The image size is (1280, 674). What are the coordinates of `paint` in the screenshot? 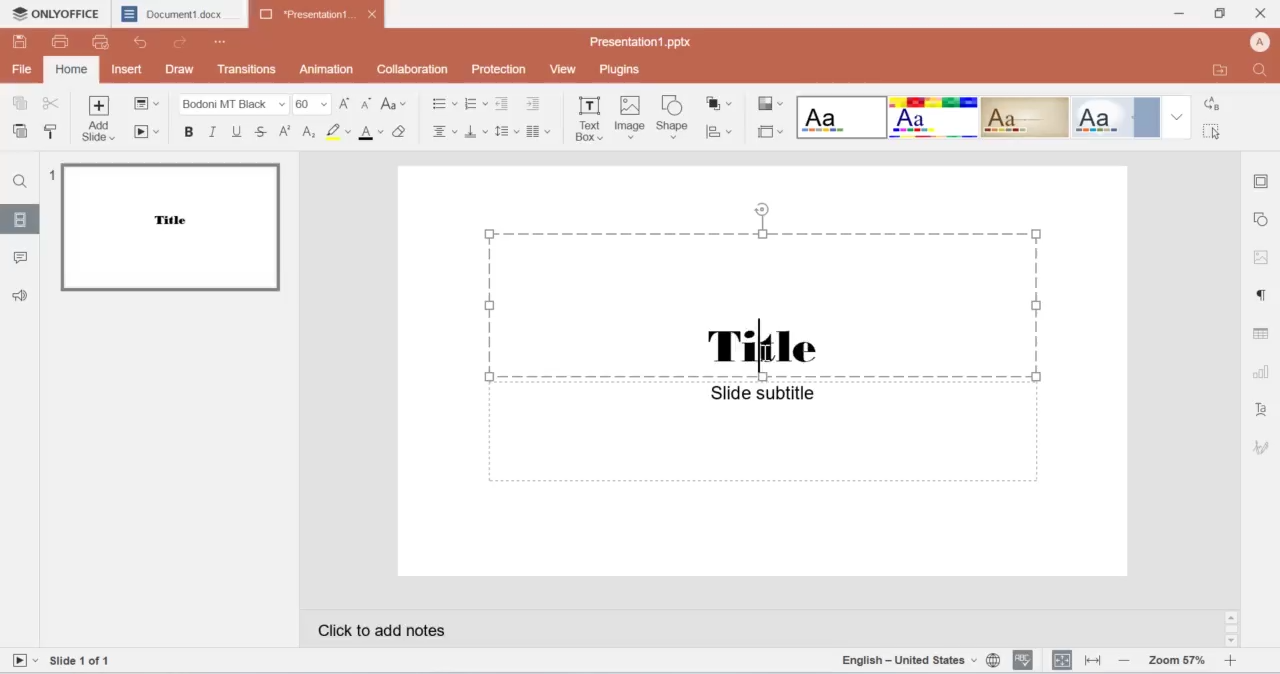 It's located at (51, 130).